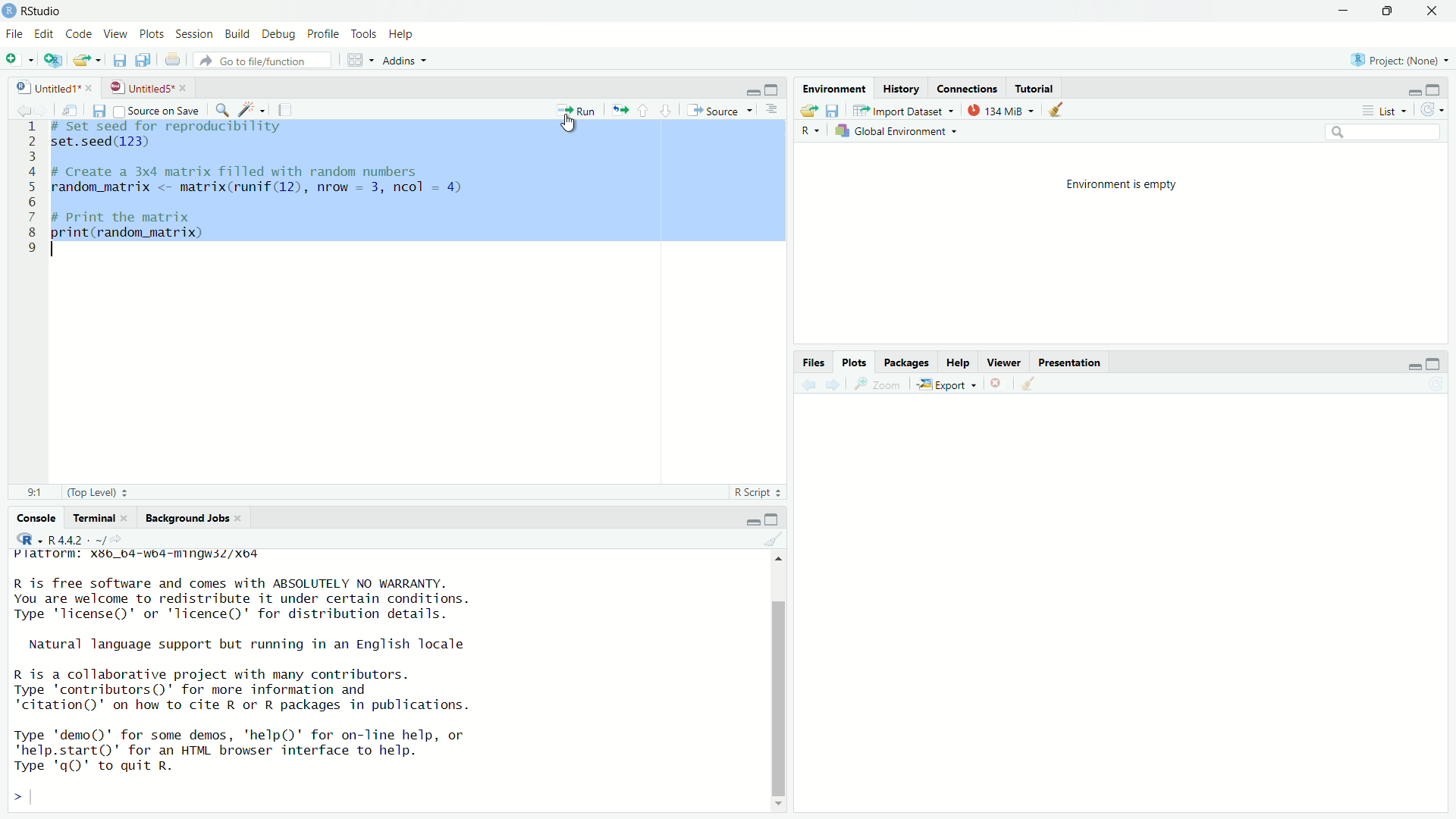  I want to click on 91 (Top Level) =, so click(79, 491).